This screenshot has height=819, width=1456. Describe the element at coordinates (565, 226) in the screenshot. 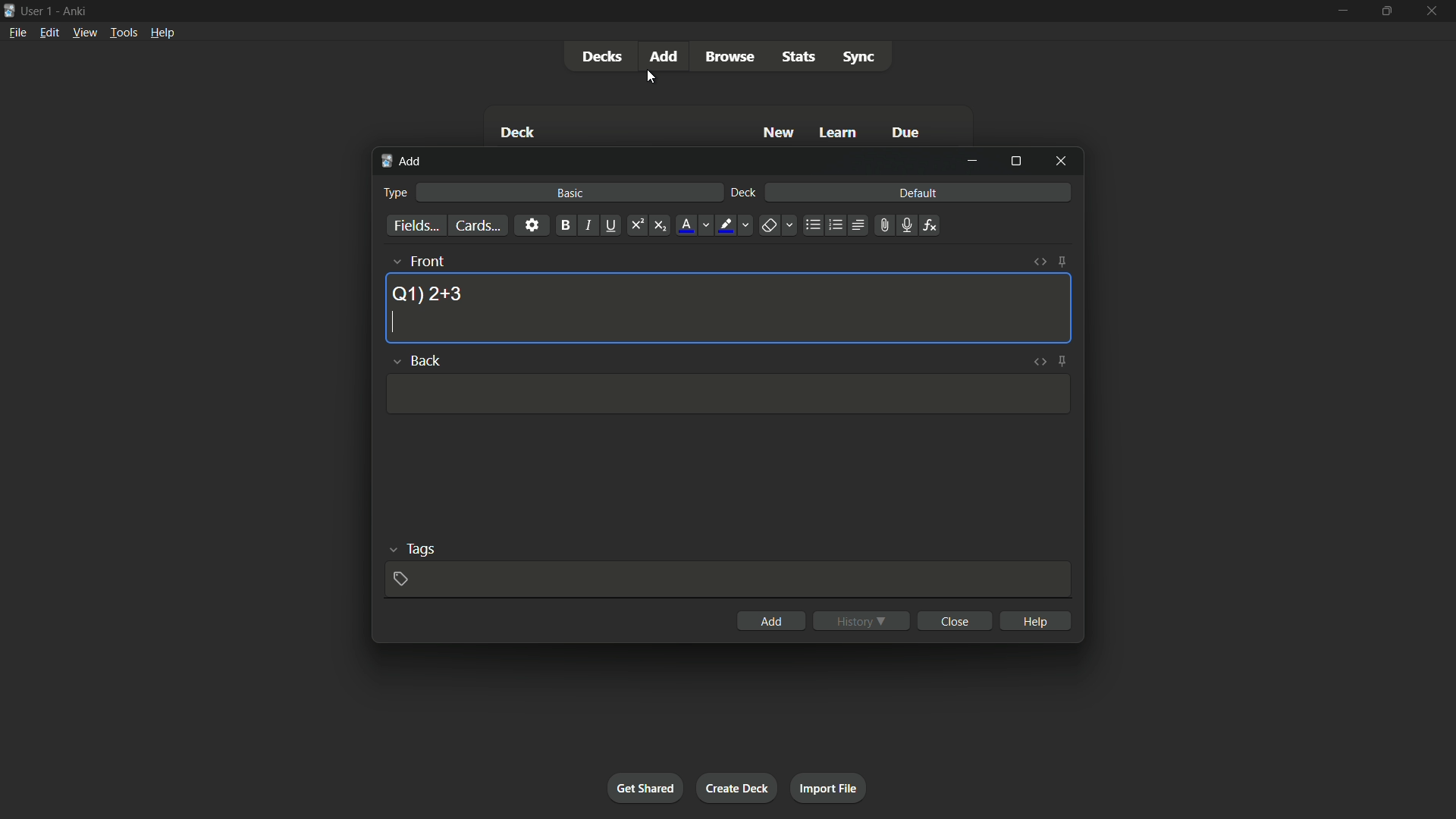

I see `bold` at that location.